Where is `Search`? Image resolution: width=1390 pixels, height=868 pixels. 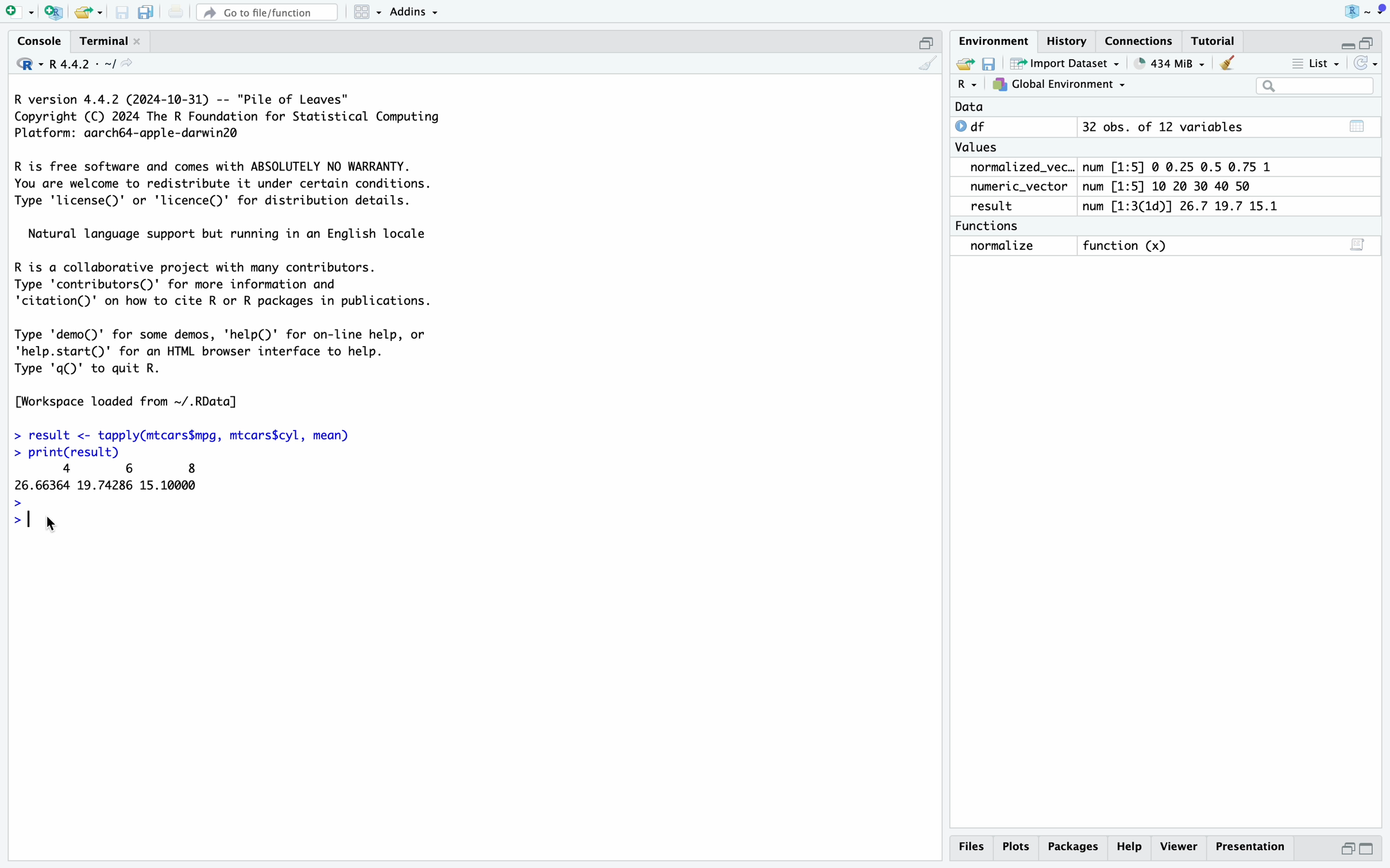
Search is located at coordinates (1314, 86).